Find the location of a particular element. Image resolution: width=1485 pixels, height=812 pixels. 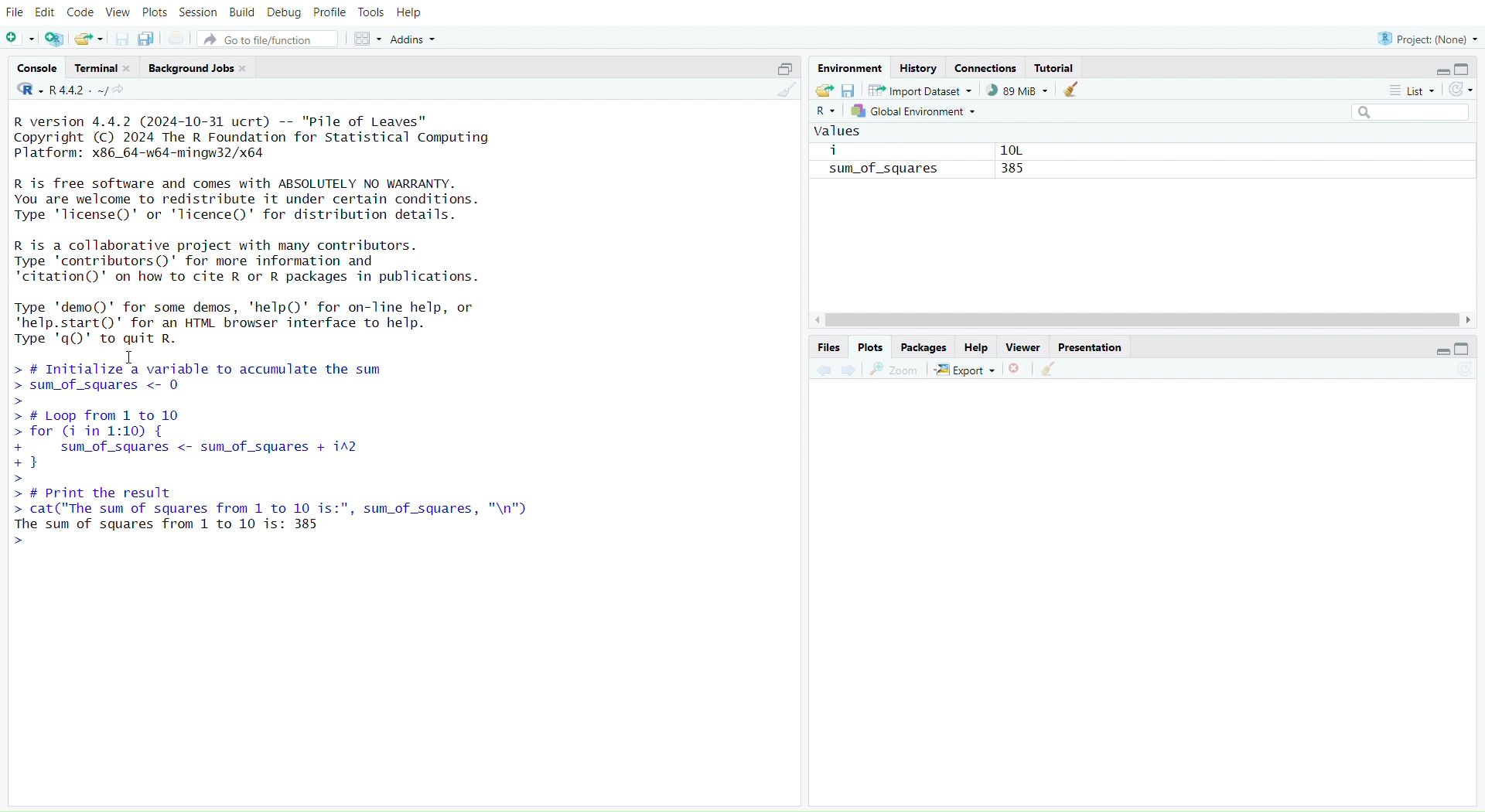

build is located at coordinates (242, 14).